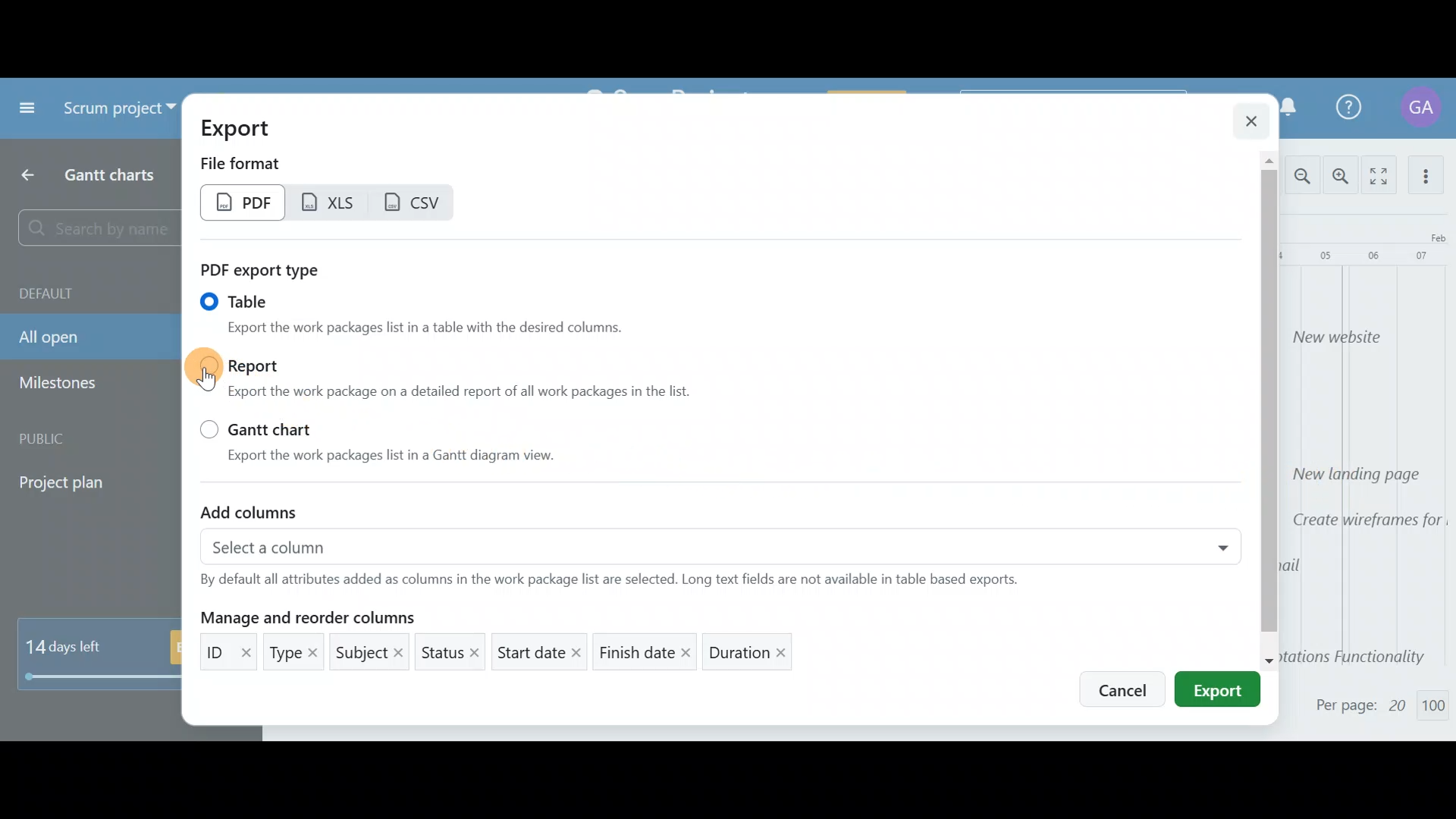  Describe the element at coordinates (1272, 406) in the screenshot. I see `Scroll bar` at that location.